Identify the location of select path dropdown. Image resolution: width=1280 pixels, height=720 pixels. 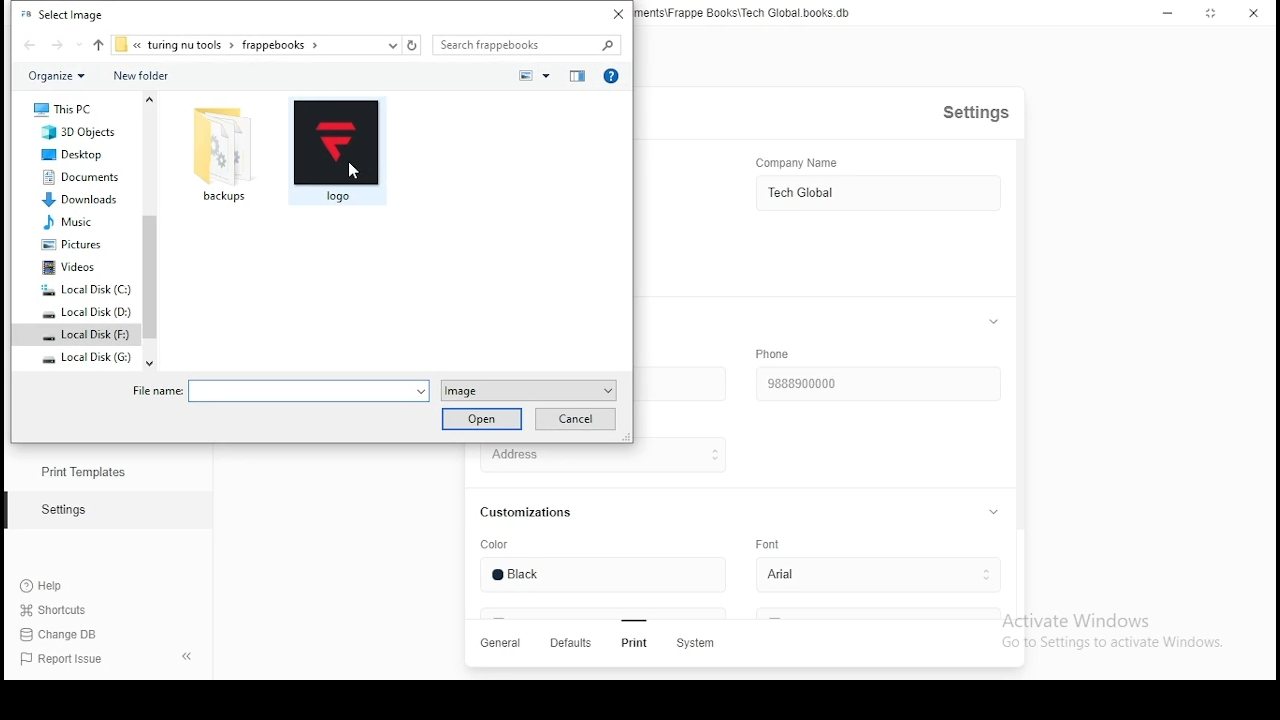
(392, 46).